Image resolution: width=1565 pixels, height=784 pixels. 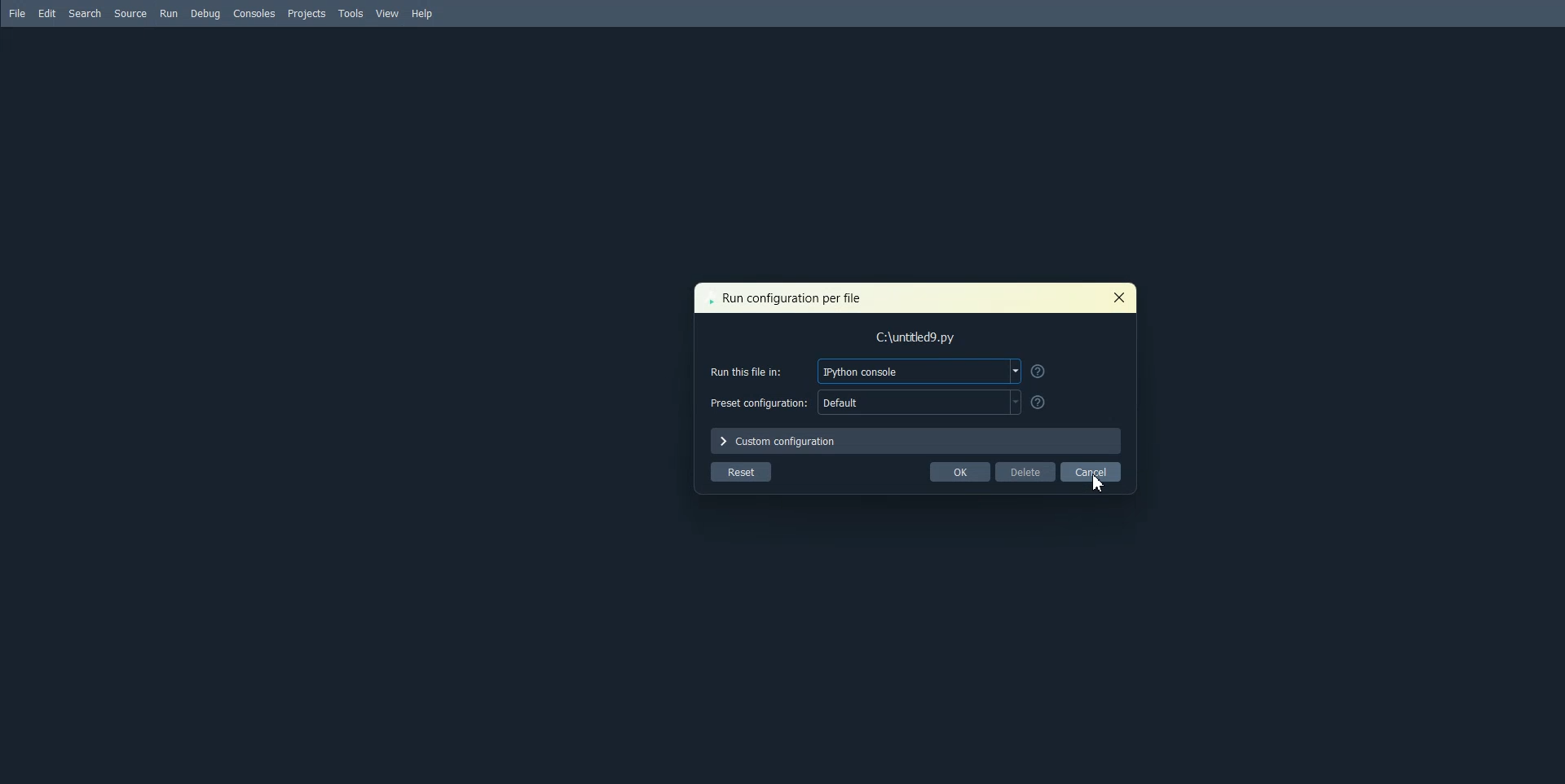 I want to click on Python console., so click(x=920, y=372).